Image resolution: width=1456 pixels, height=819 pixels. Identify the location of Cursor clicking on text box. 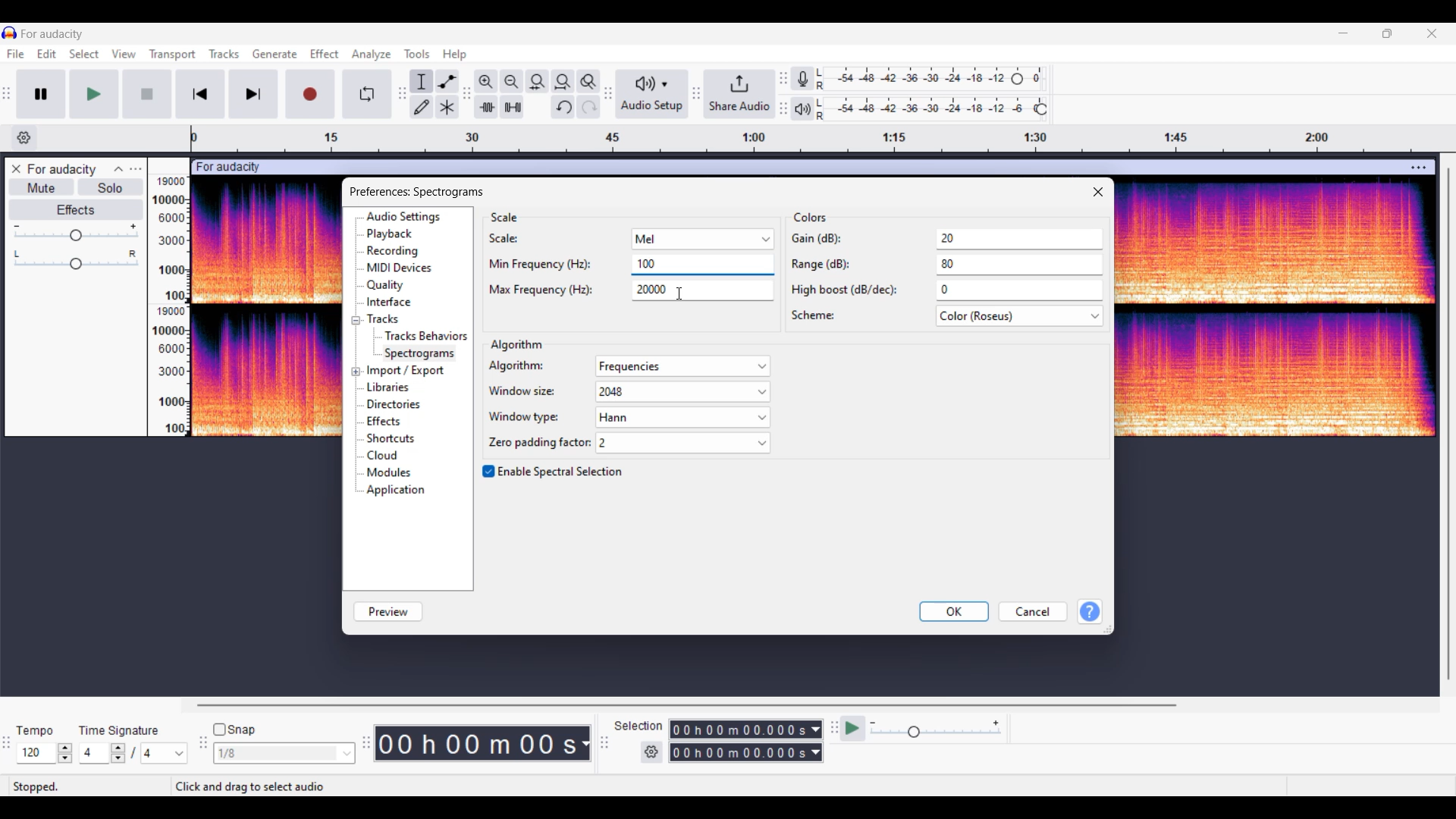
(679, 293).